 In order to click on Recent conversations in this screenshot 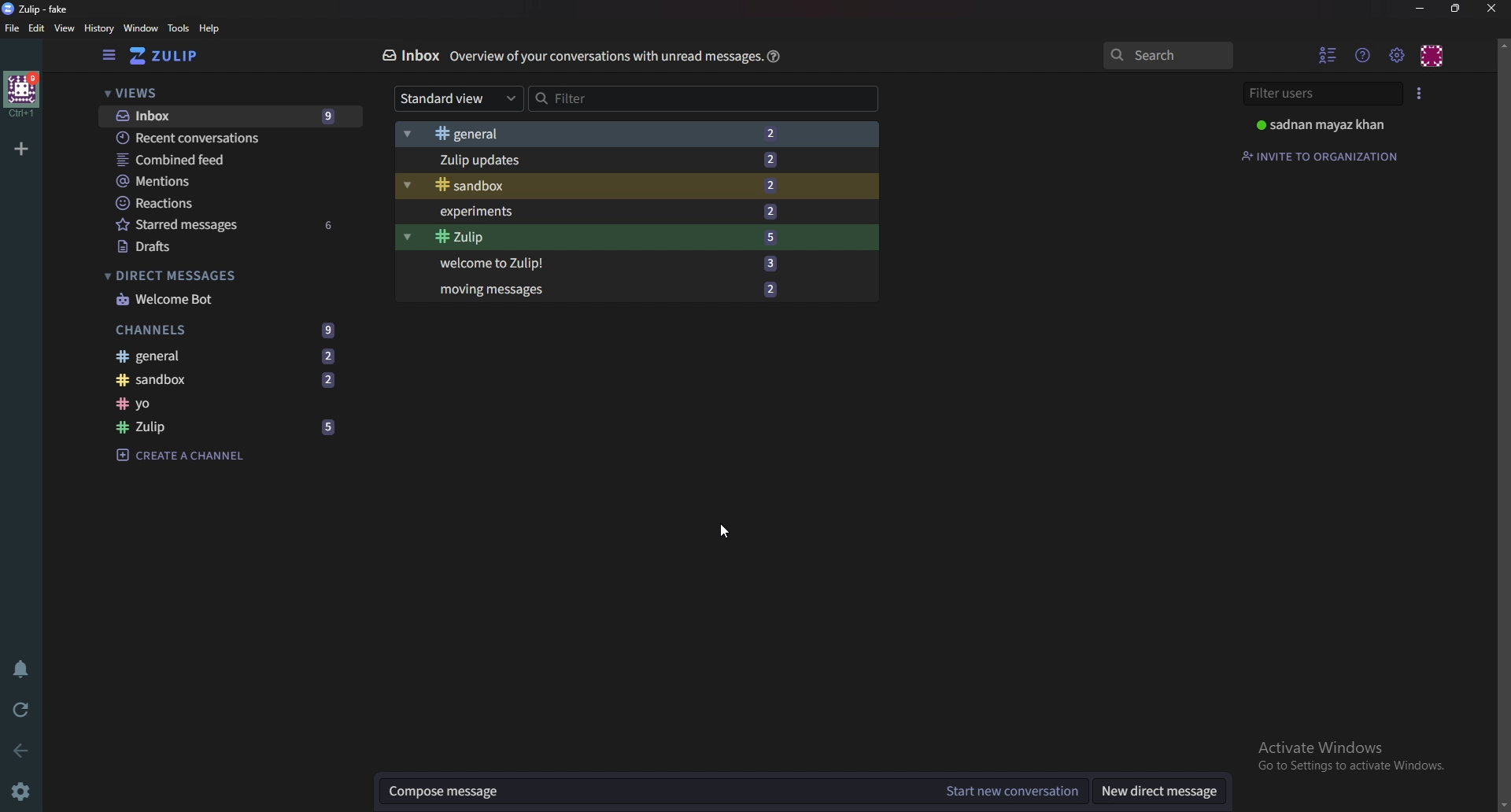, I will do `click(227, 138)`.